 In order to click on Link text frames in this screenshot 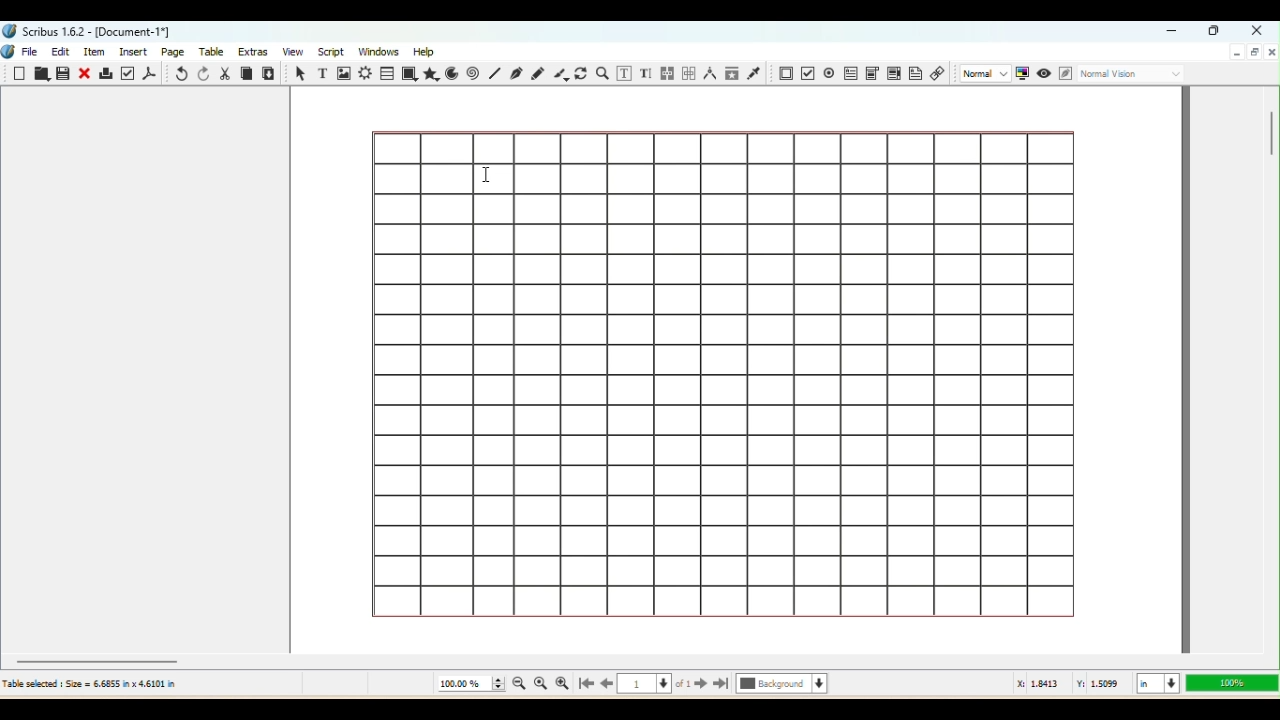, I will do `click(666, 72)`.